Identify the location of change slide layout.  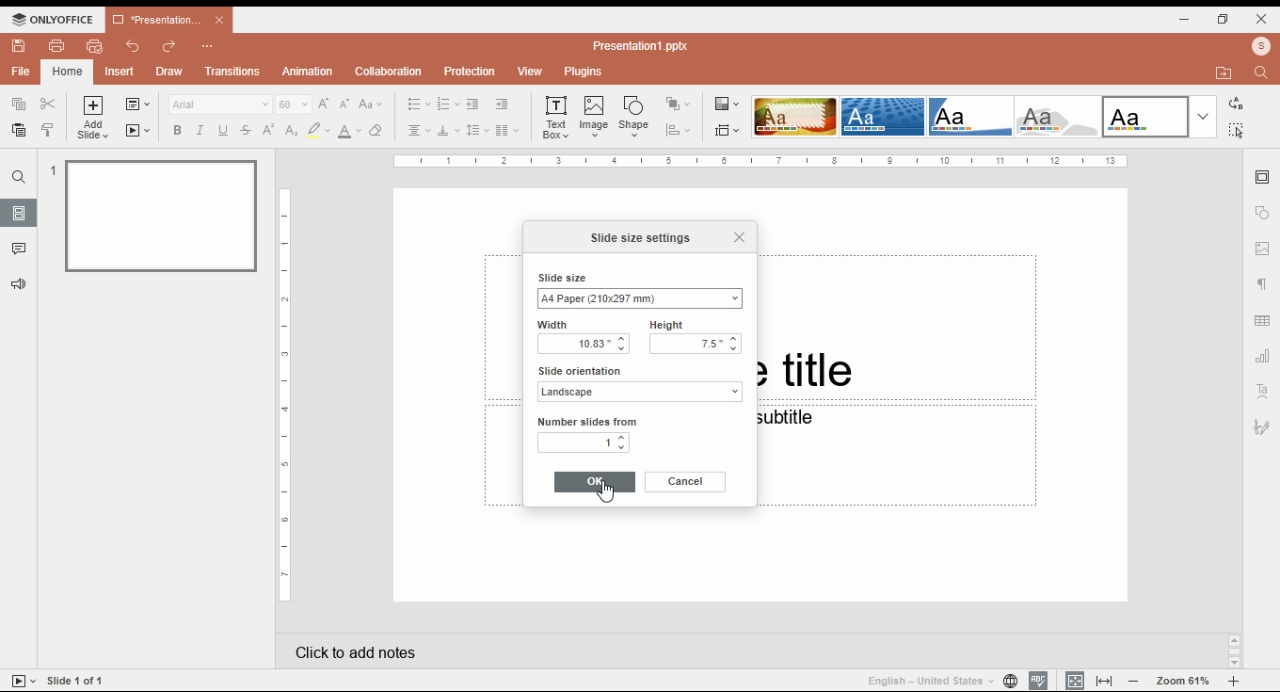
(137, 104).